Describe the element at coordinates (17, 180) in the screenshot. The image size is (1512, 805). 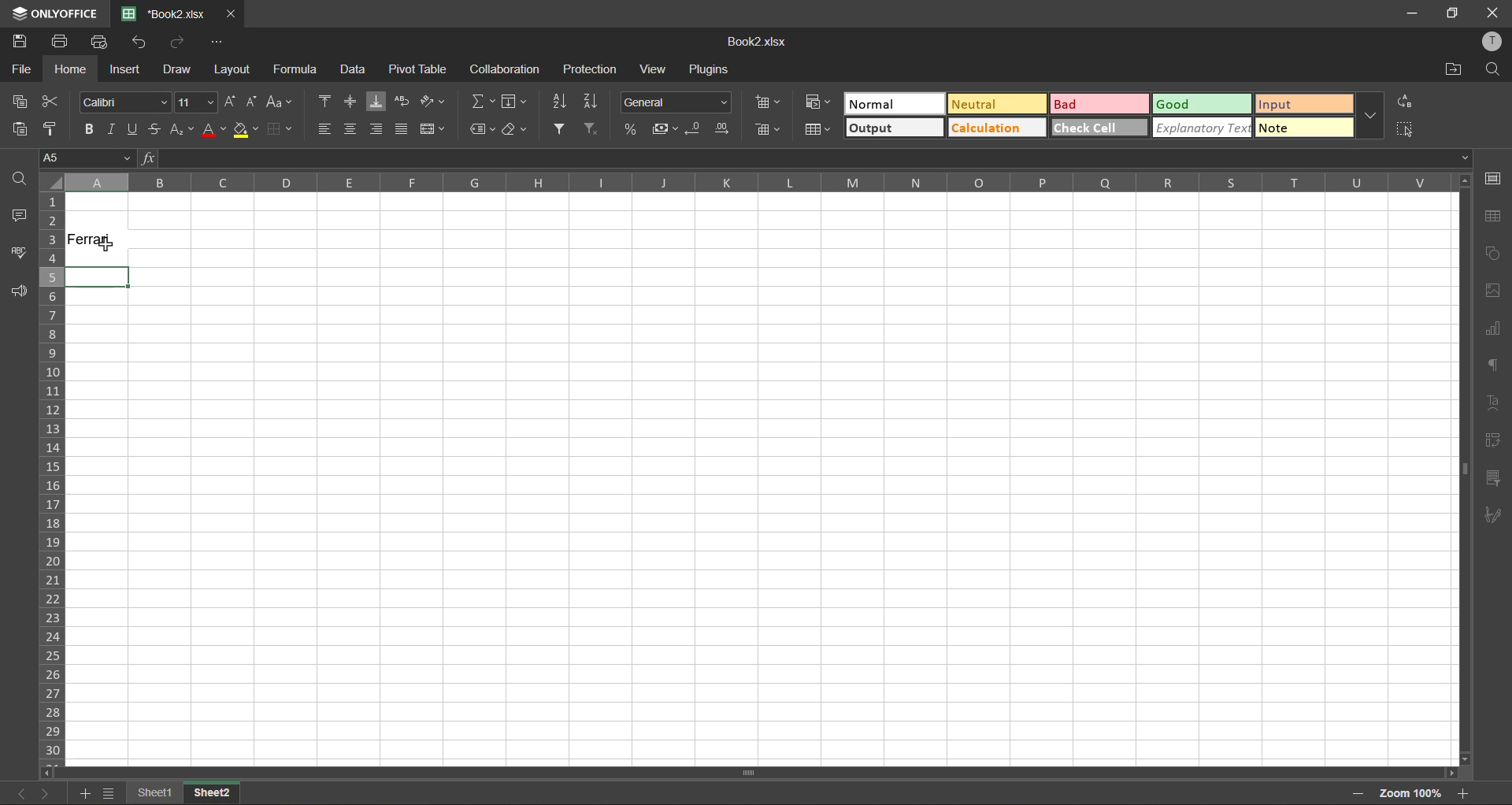
I see `find` at that location.